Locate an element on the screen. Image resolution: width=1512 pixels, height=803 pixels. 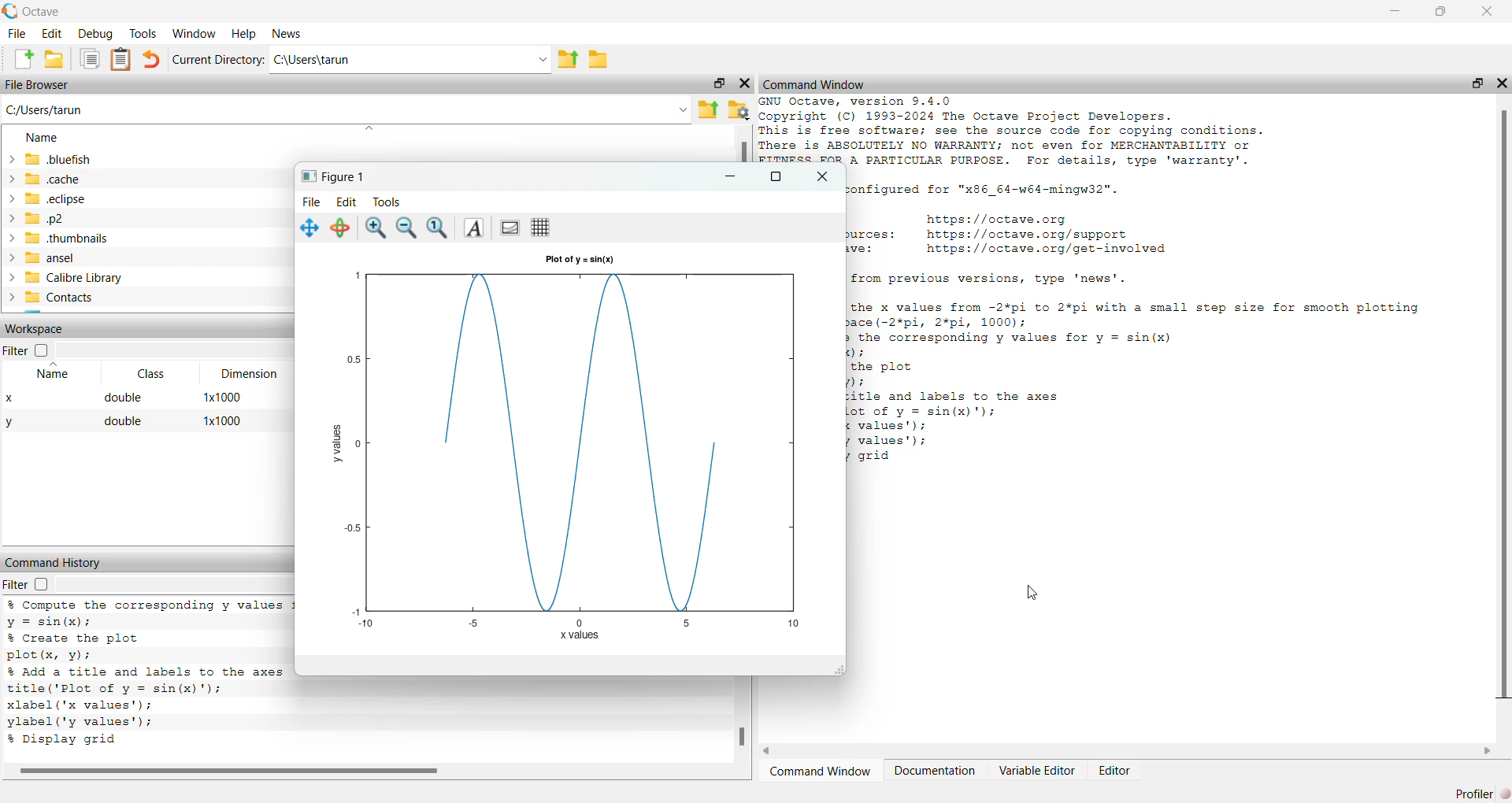
folder is located at coordinates (54, 59).